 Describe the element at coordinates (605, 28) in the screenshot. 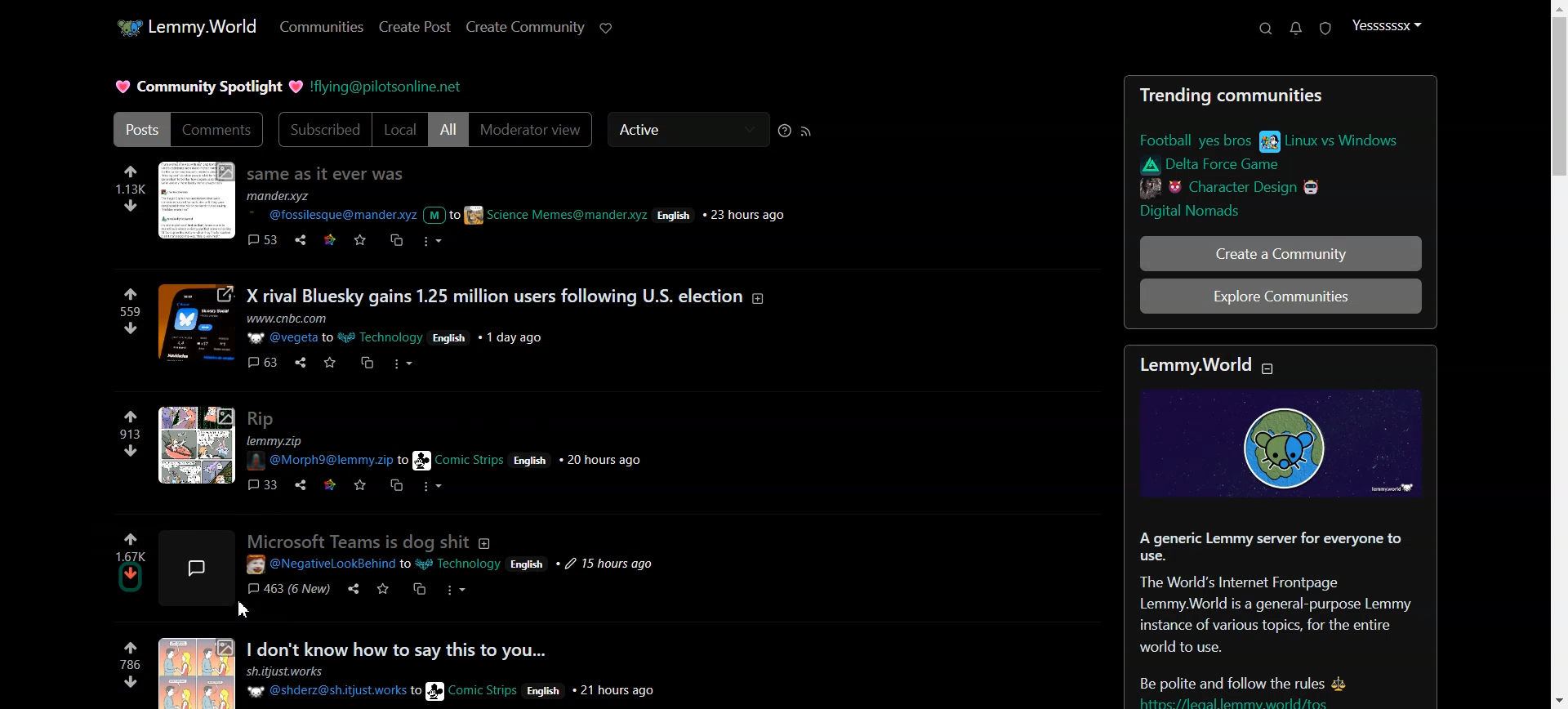

I see `Support lemmy` at that location.